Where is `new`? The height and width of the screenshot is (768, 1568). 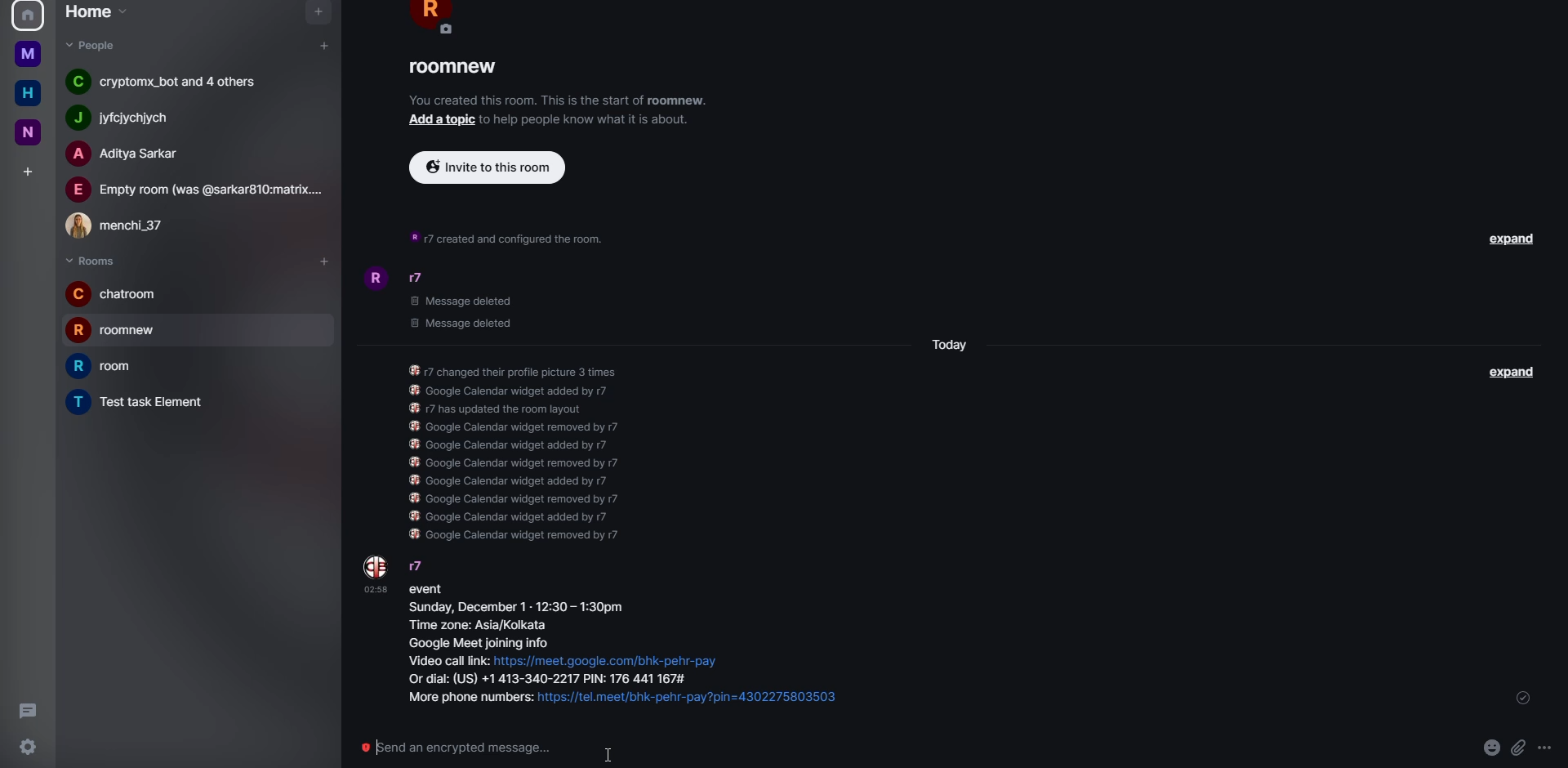 new is located at coordinates (26, 132).